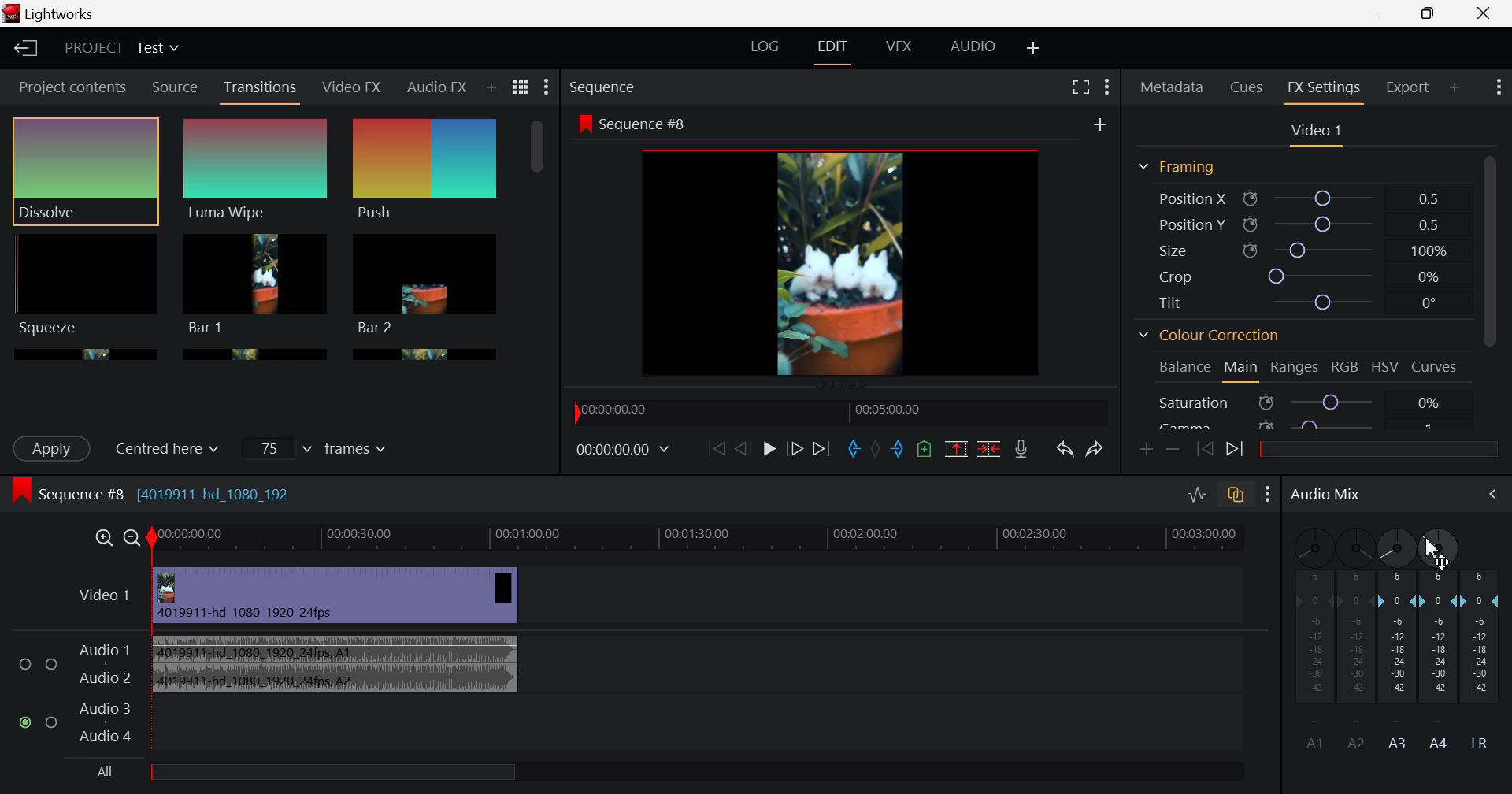  Describe the element at coordinates (425, 284) in the screenshot. I see `Bar 1` at that location.